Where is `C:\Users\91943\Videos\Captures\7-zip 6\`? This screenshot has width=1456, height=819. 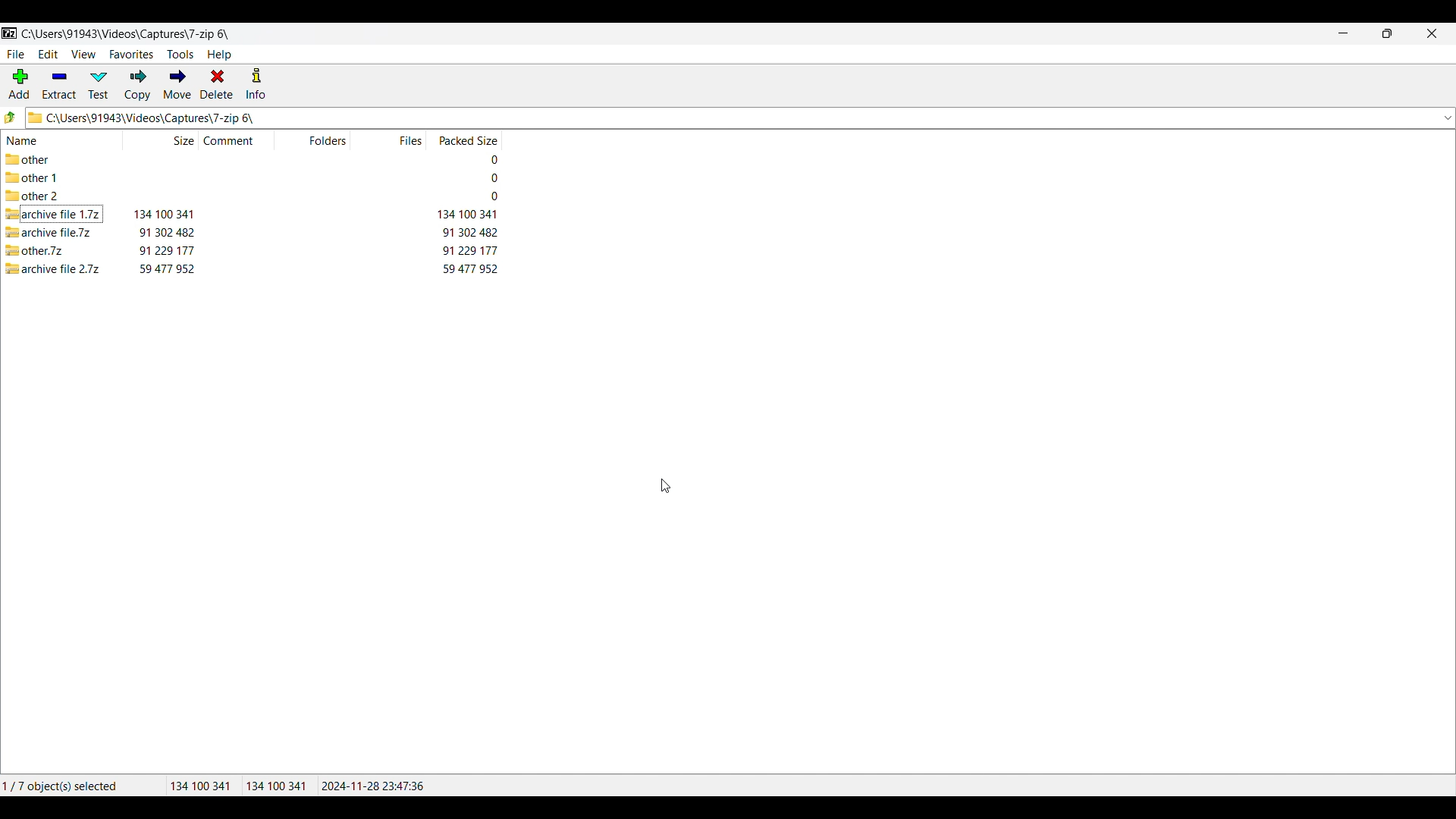
C:\Users\91943\Videos\Captures\7-zip 6\ is located at coordinates (136, 35).